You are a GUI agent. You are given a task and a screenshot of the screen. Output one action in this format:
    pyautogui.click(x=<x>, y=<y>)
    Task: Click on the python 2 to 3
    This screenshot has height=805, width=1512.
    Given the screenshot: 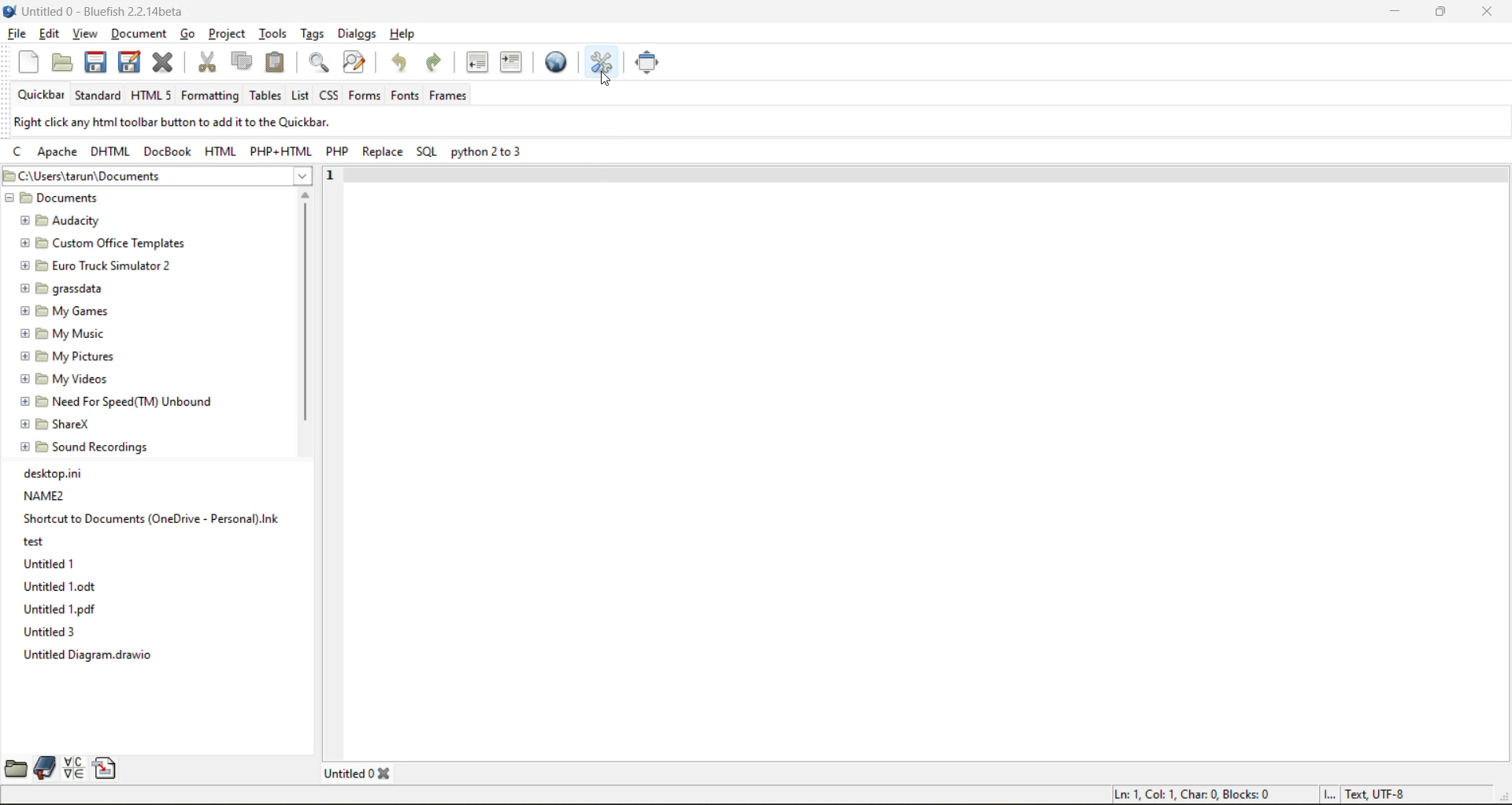 What is the action you would take?
    pyautogui.click(x=489, y=154)
    